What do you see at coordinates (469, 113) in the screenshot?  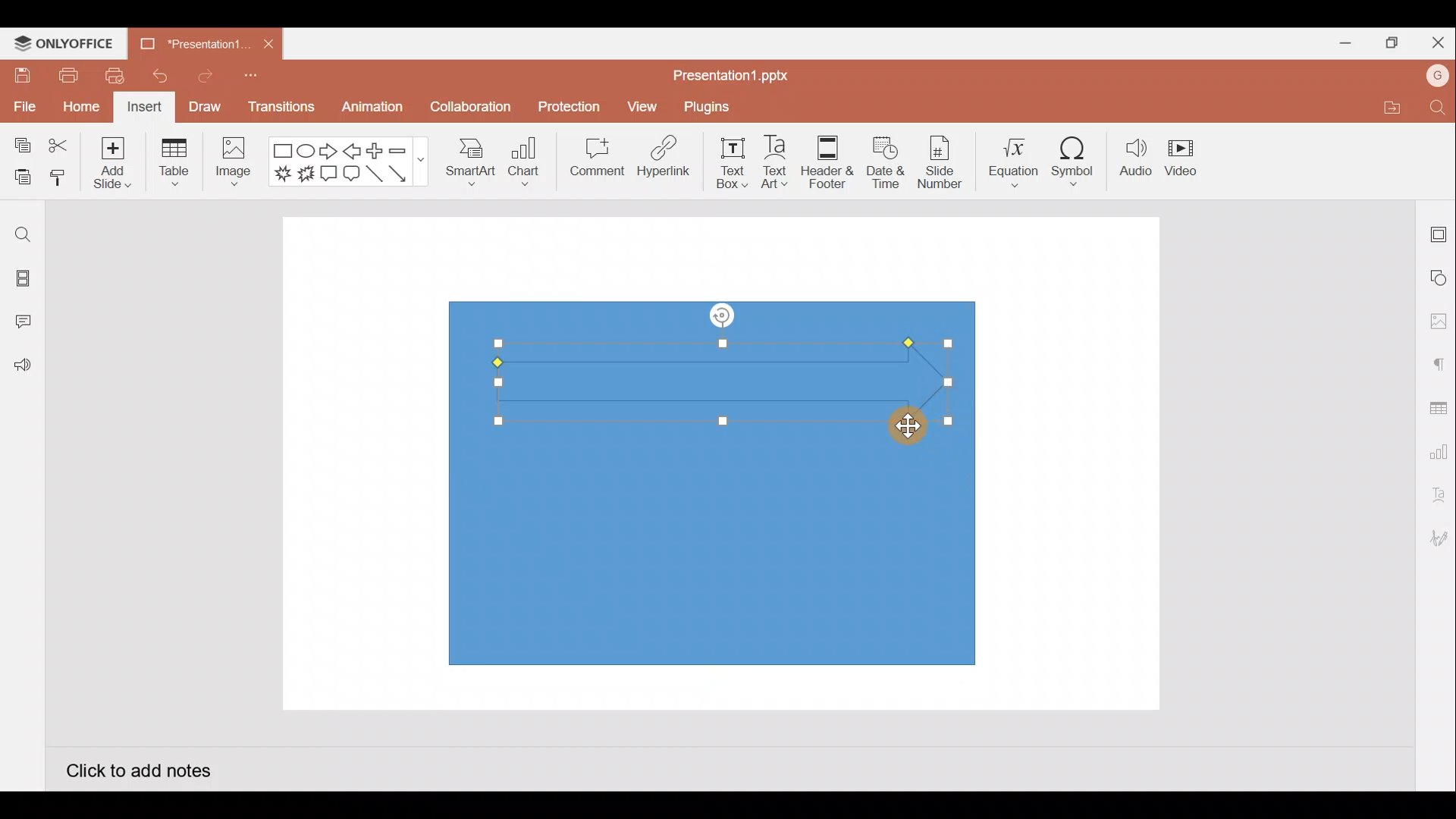 I see `Collaboration` at bounding box center [469, 113].